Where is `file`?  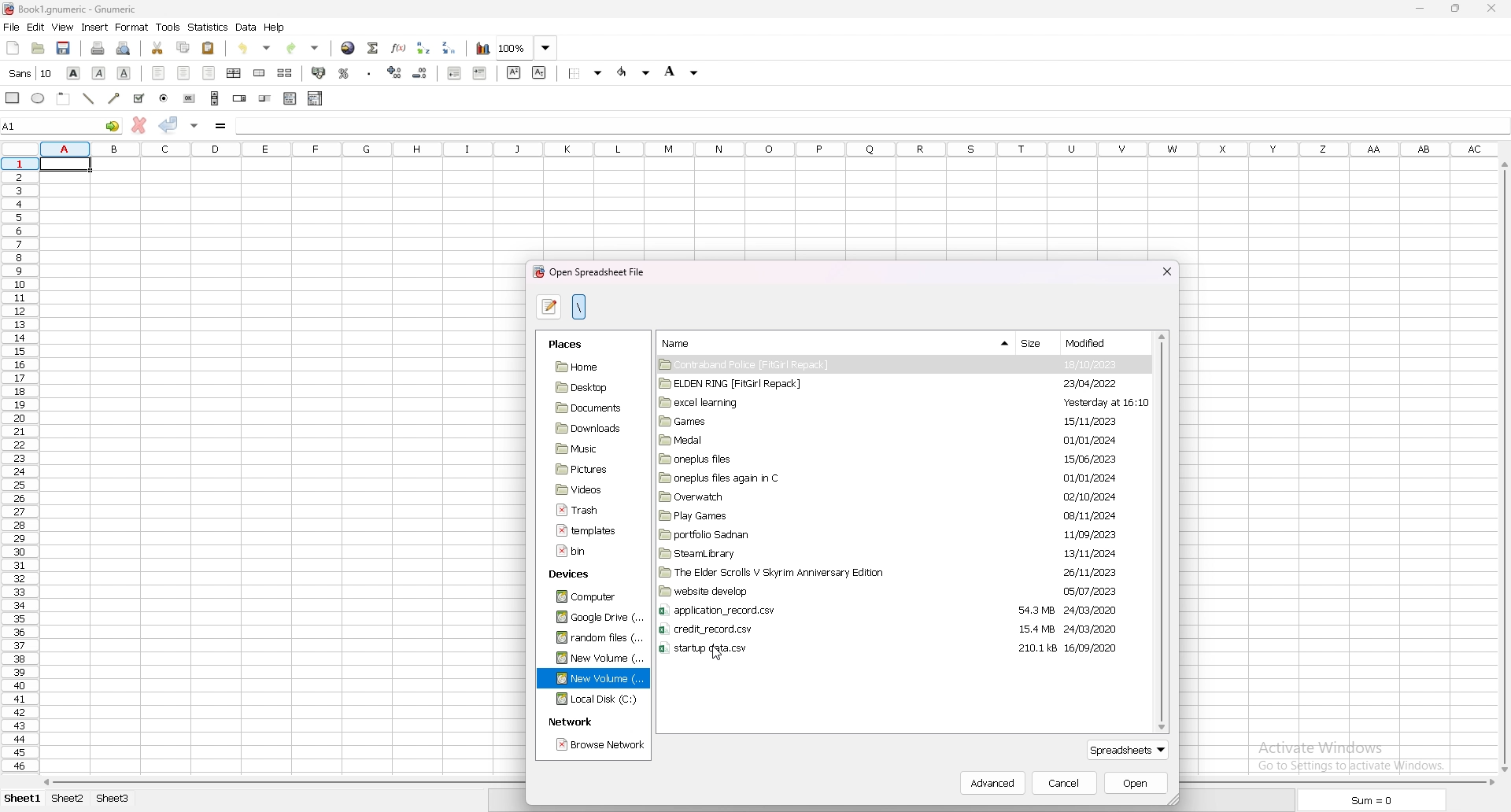
file is located at coordinates (759, 630).